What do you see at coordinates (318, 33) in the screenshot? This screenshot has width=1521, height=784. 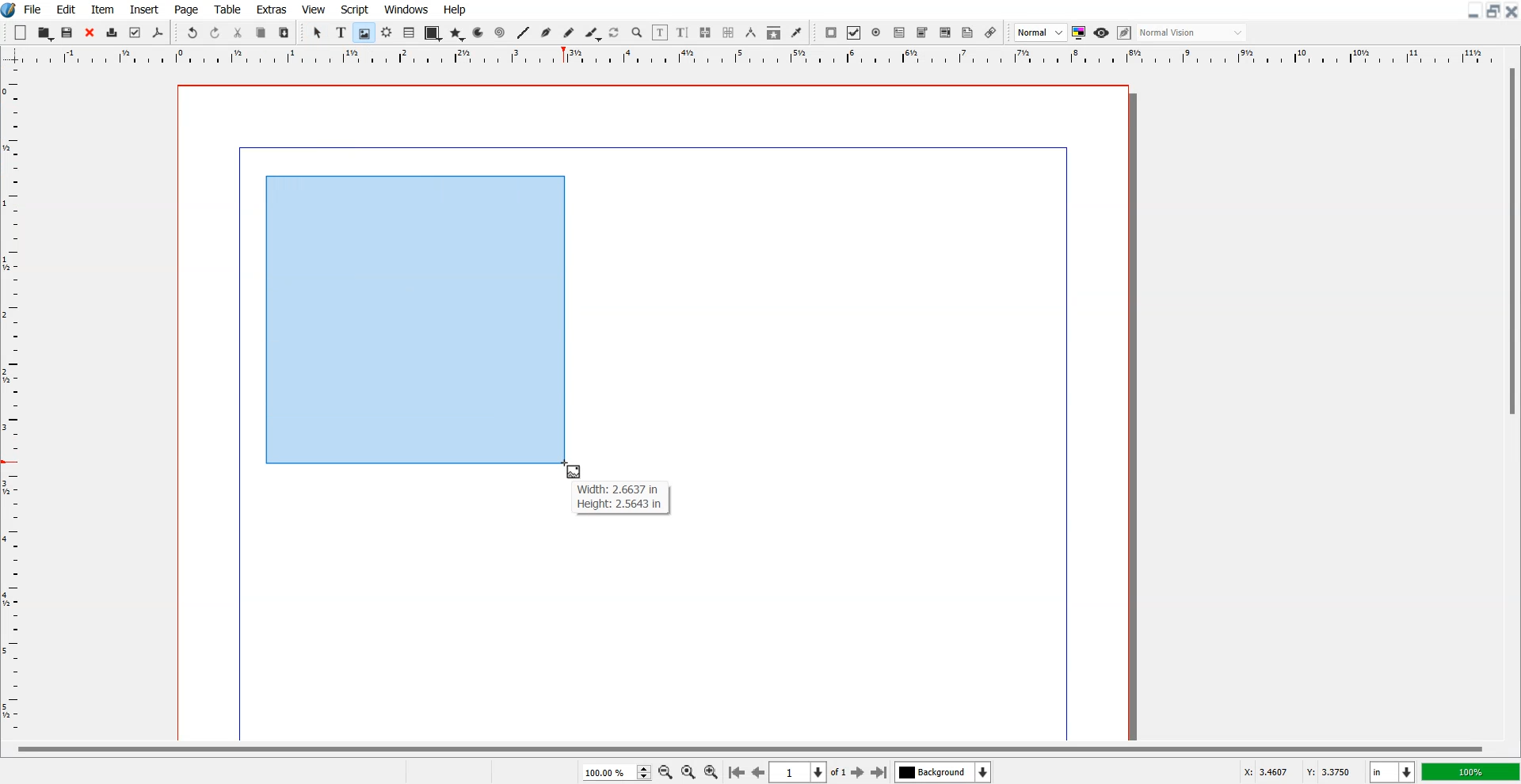 I see `Select Item` at bounding box center [318, 33].